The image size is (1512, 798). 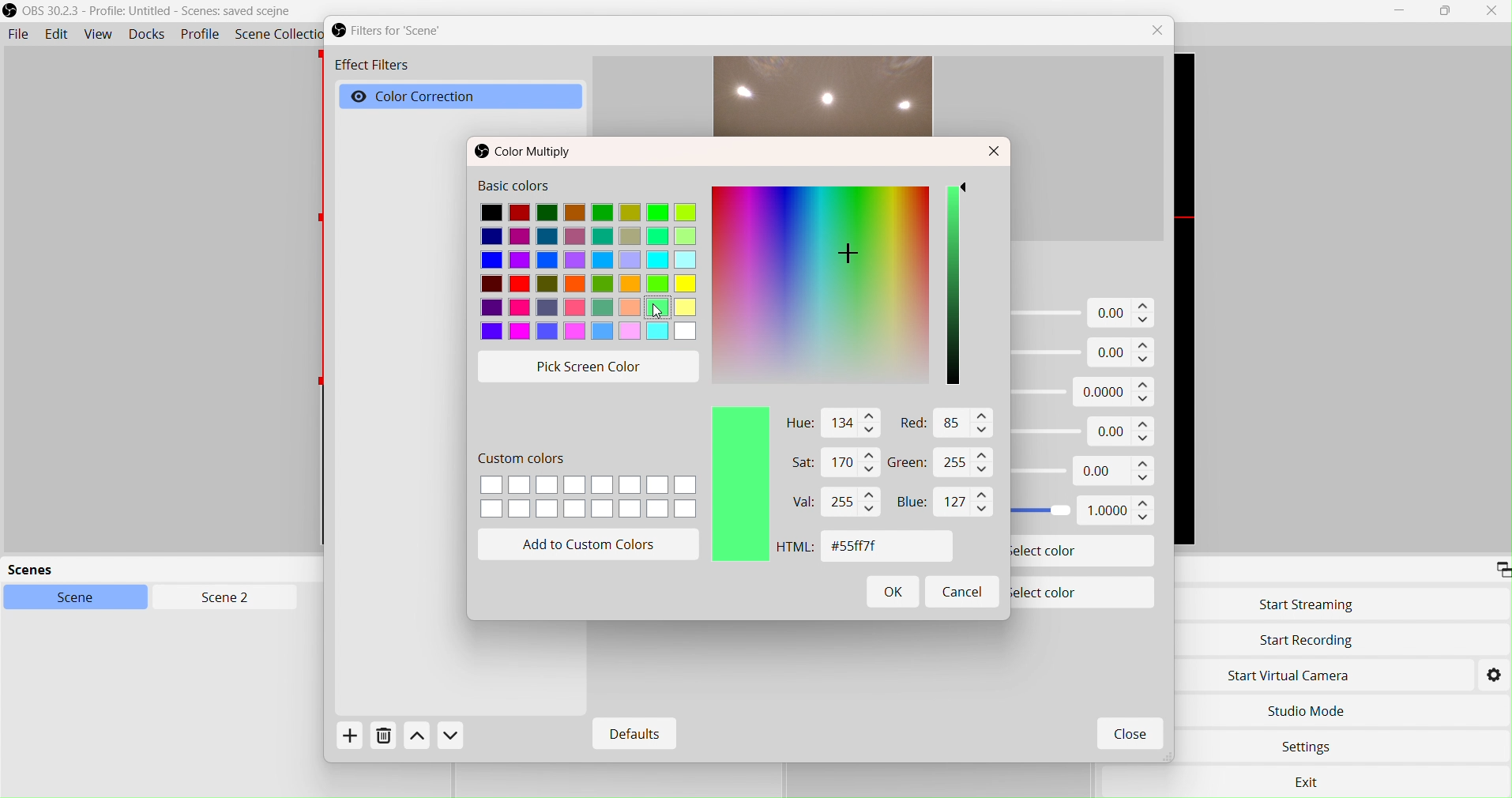 I want to click on Filters, so click(x=401, y=31).